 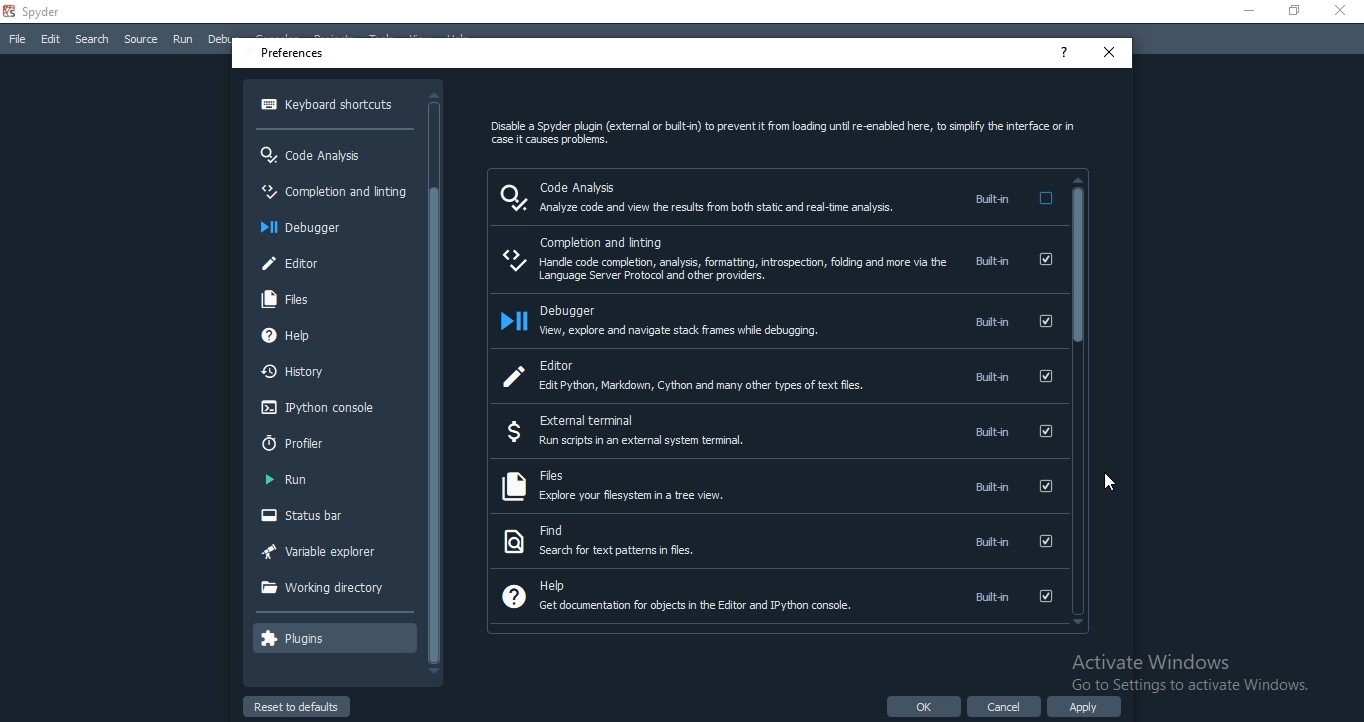 I want to click on debugger, so click(x=329, y=226).